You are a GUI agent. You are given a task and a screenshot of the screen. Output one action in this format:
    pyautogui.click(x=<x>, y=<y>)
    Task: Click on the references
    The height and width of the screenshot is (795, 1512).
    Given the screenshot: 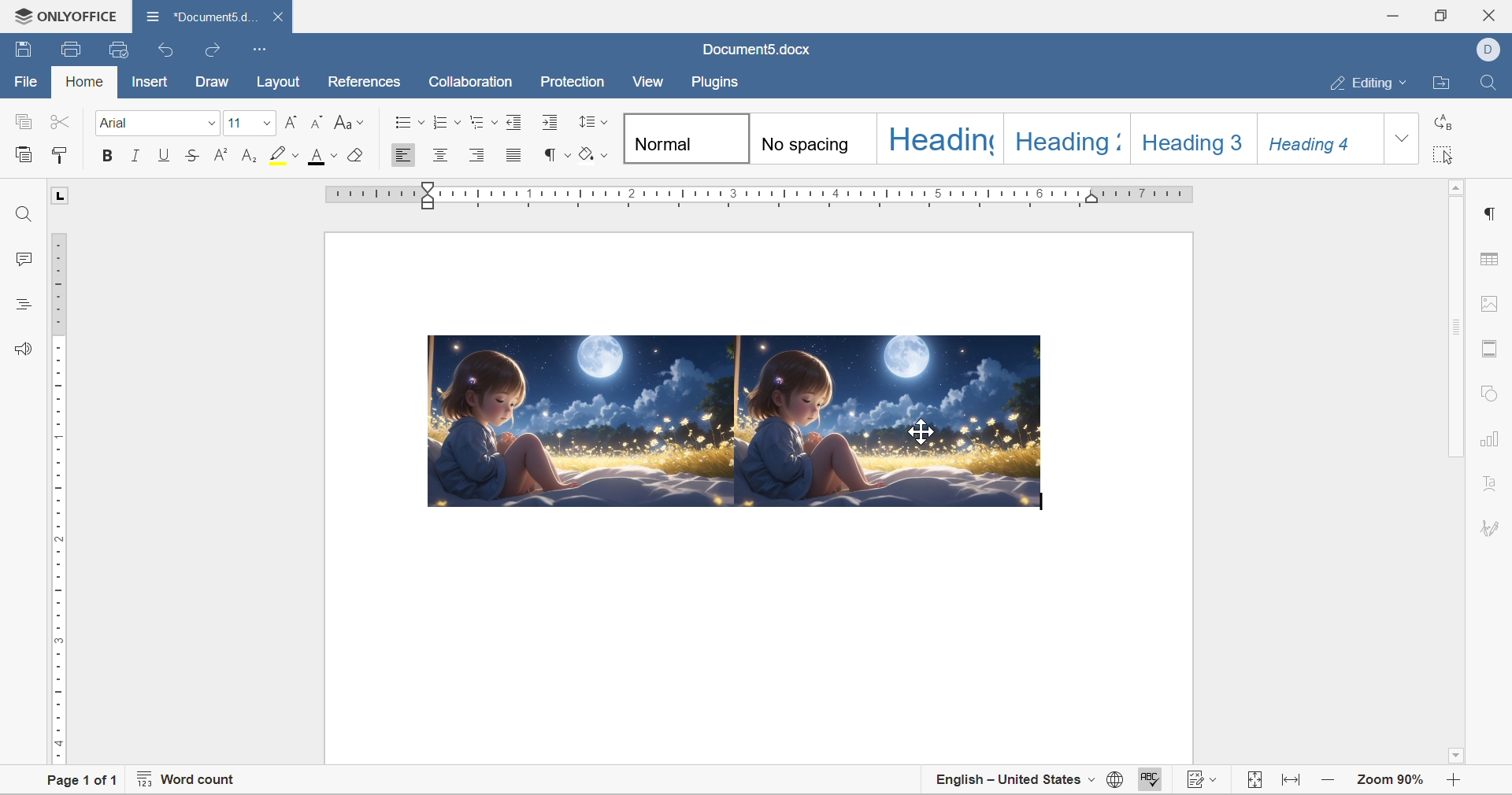 What is the action you would take?
    pyautogui.click(x=362, y=83)
    